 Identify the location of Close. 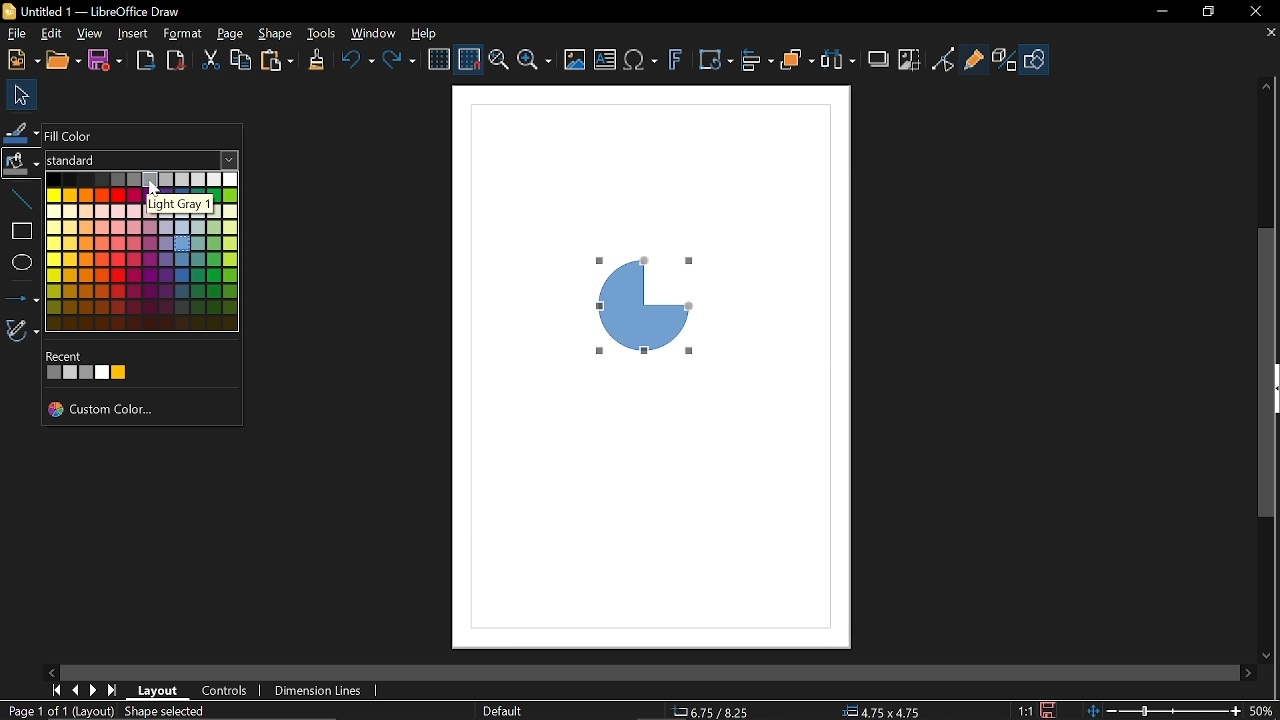
(1255, 11).